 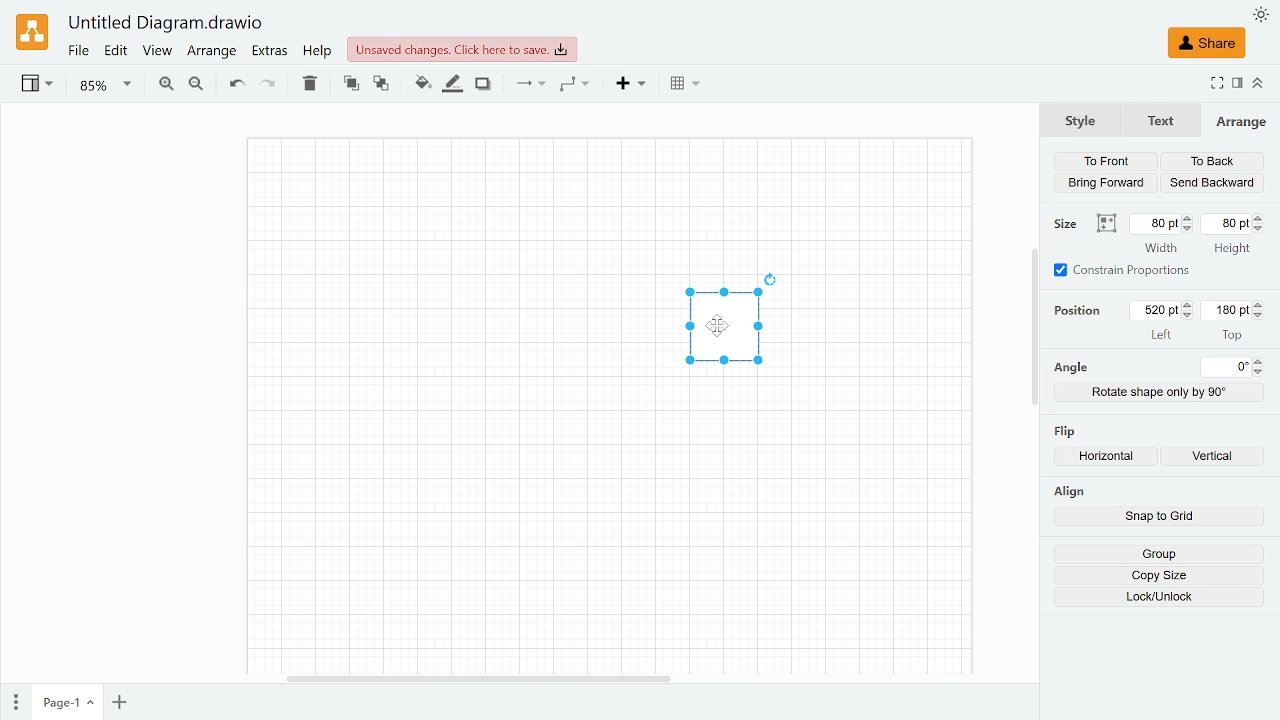 I want to click on Decrease width, so click(x=1189, y=229).